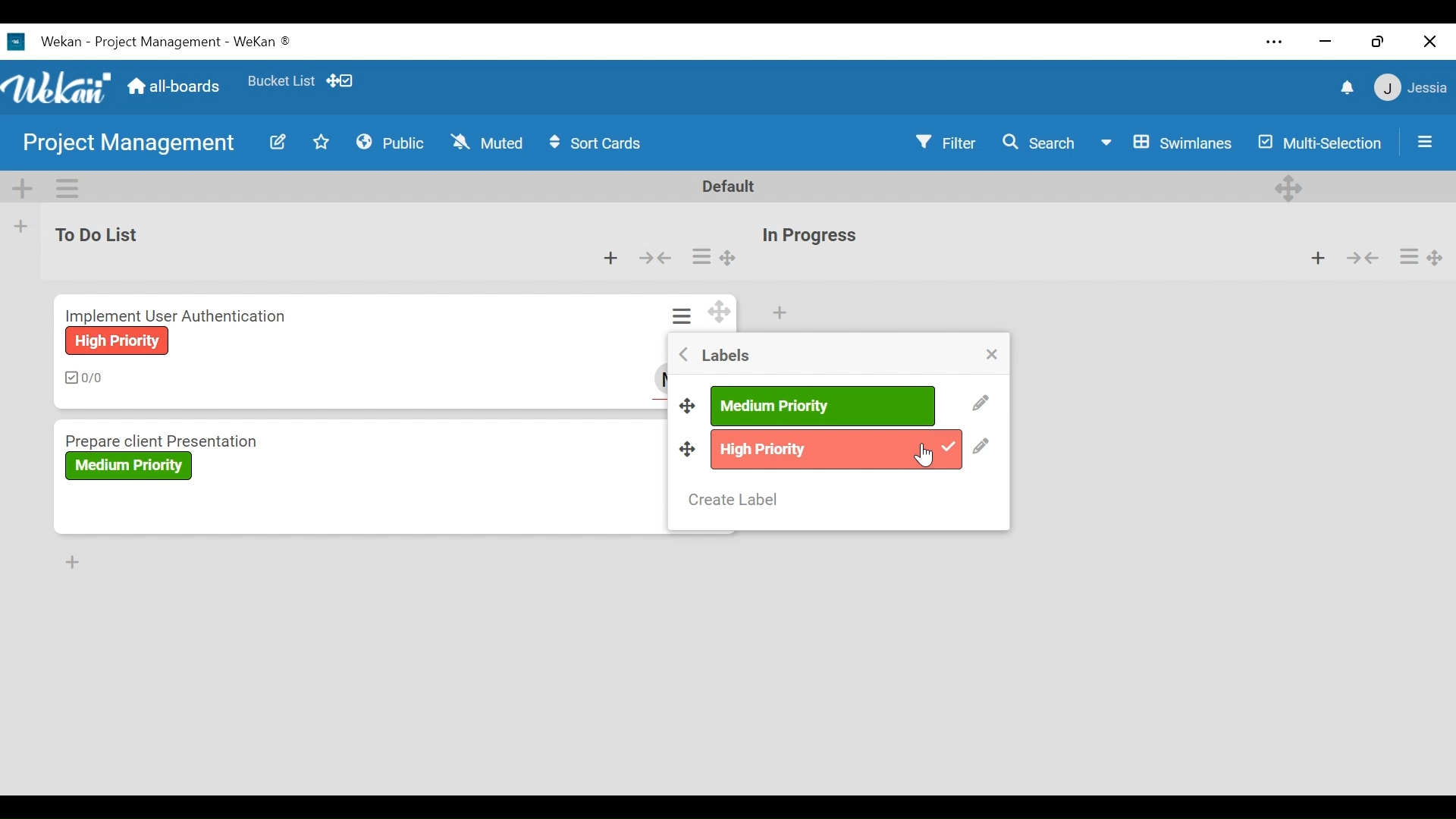 The height and width of the screenshot is (819, 1456). What do you see at coordinates (67, 560) in the screenshot?
I see `Add card to Bottom of the list` at bounding box center [67, 560].